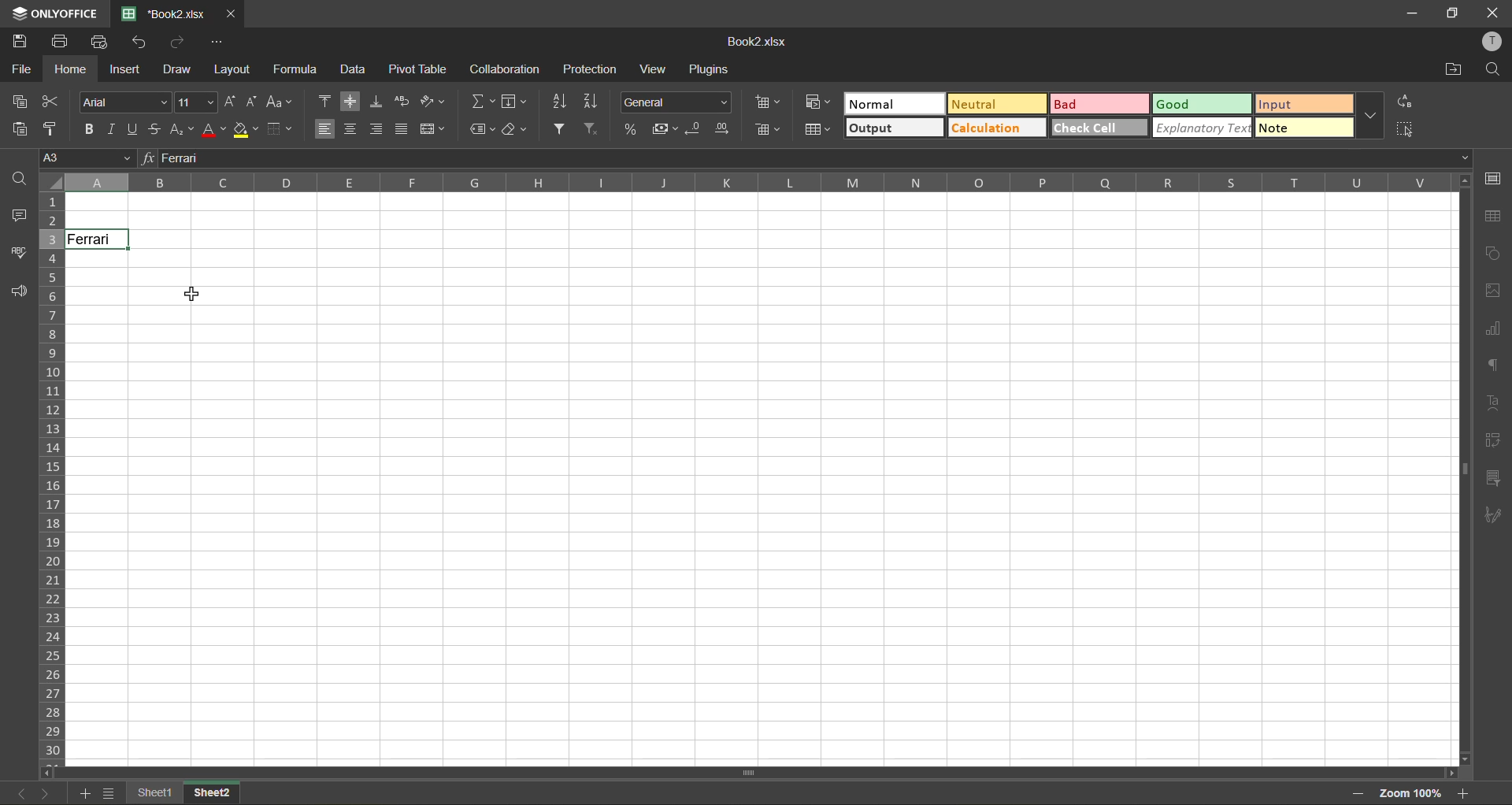 Image resolution: width=1512 pixels, height=805 pixels. I want to click on font size, so click(198, 101).